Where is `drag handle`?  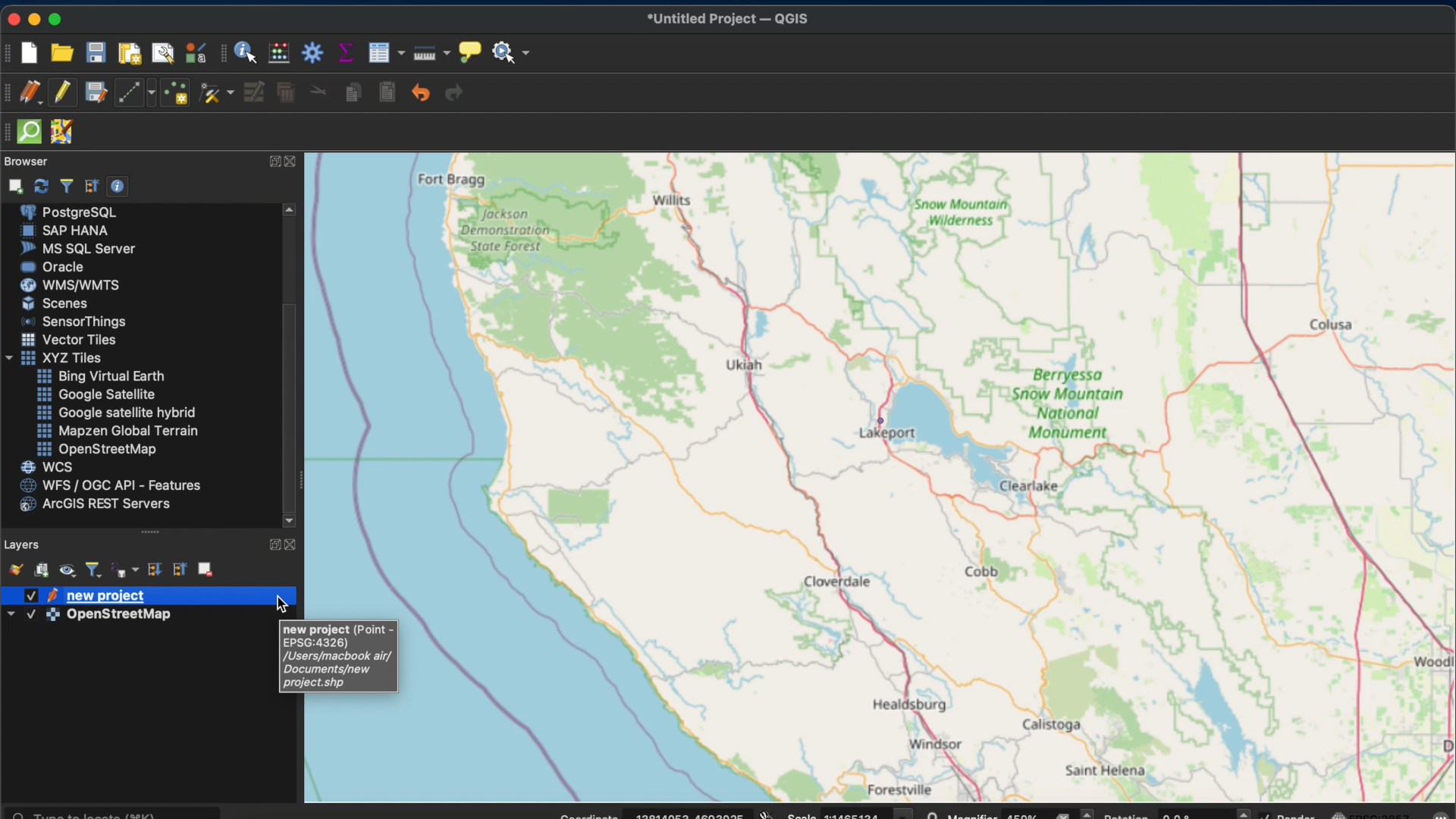 drag handle is located at coordinates (154, 533).